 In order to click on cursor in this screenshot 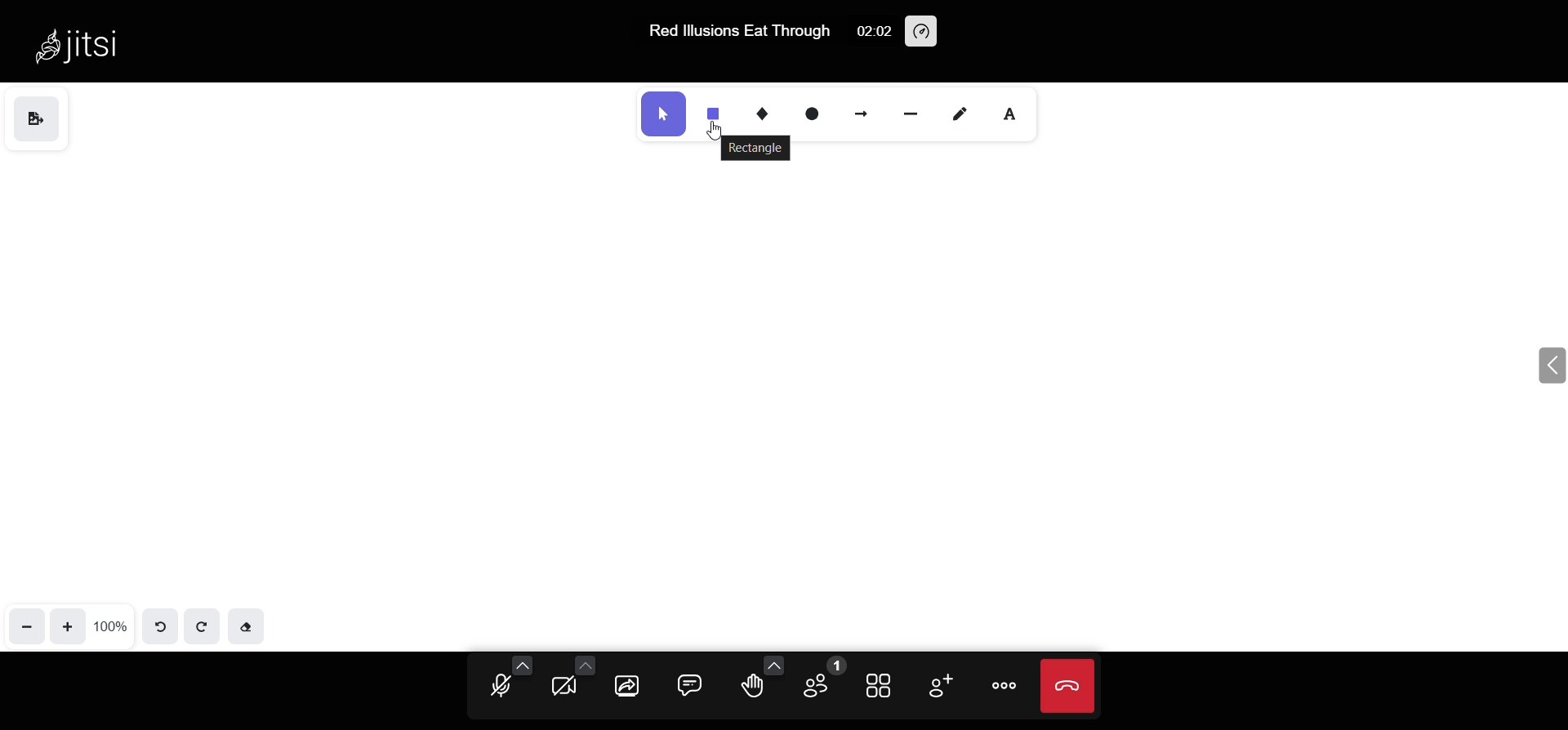, I will do `click(724, 127)`.